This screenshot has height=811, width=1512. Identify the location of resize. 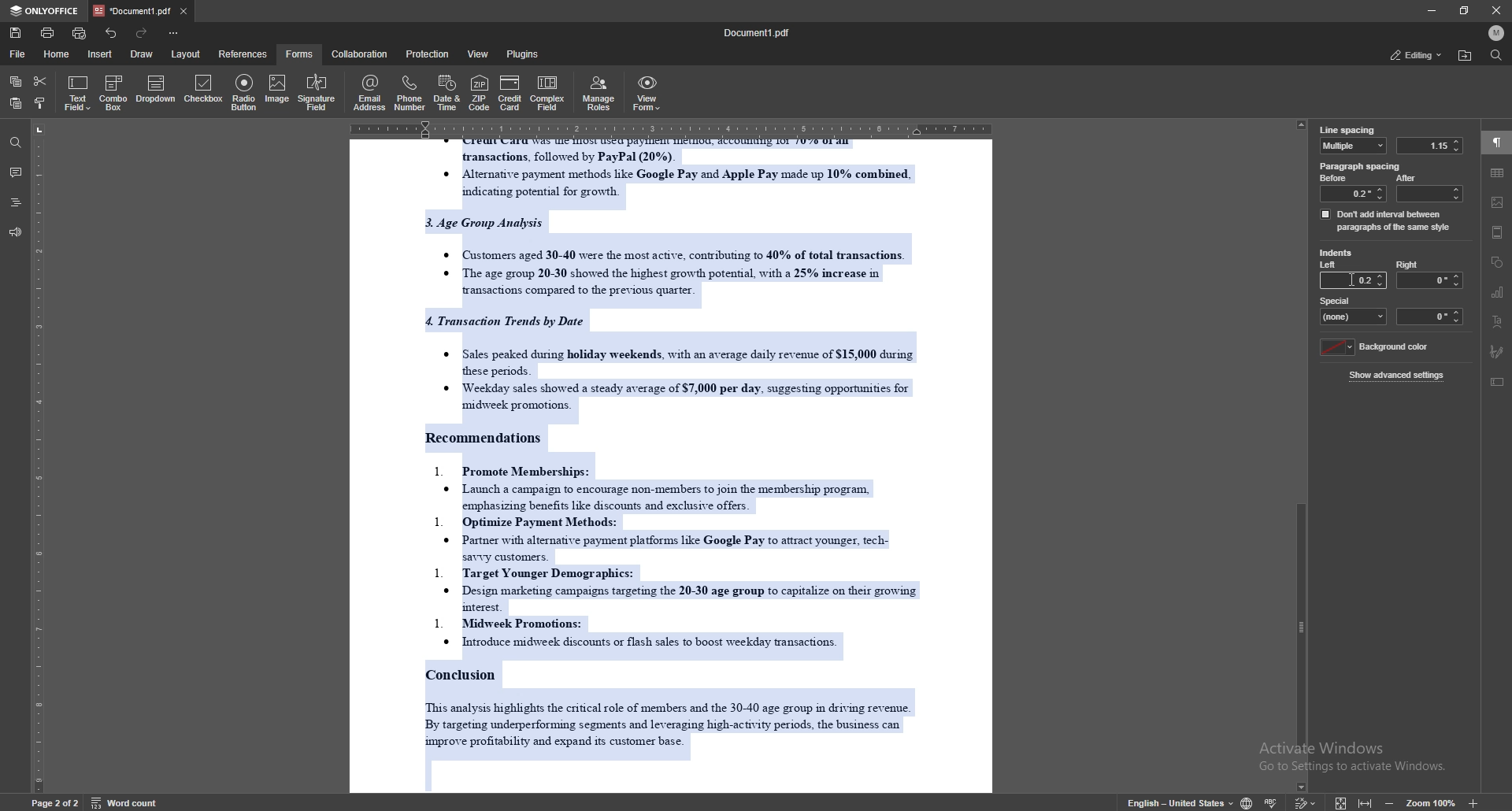
(1465, 10).